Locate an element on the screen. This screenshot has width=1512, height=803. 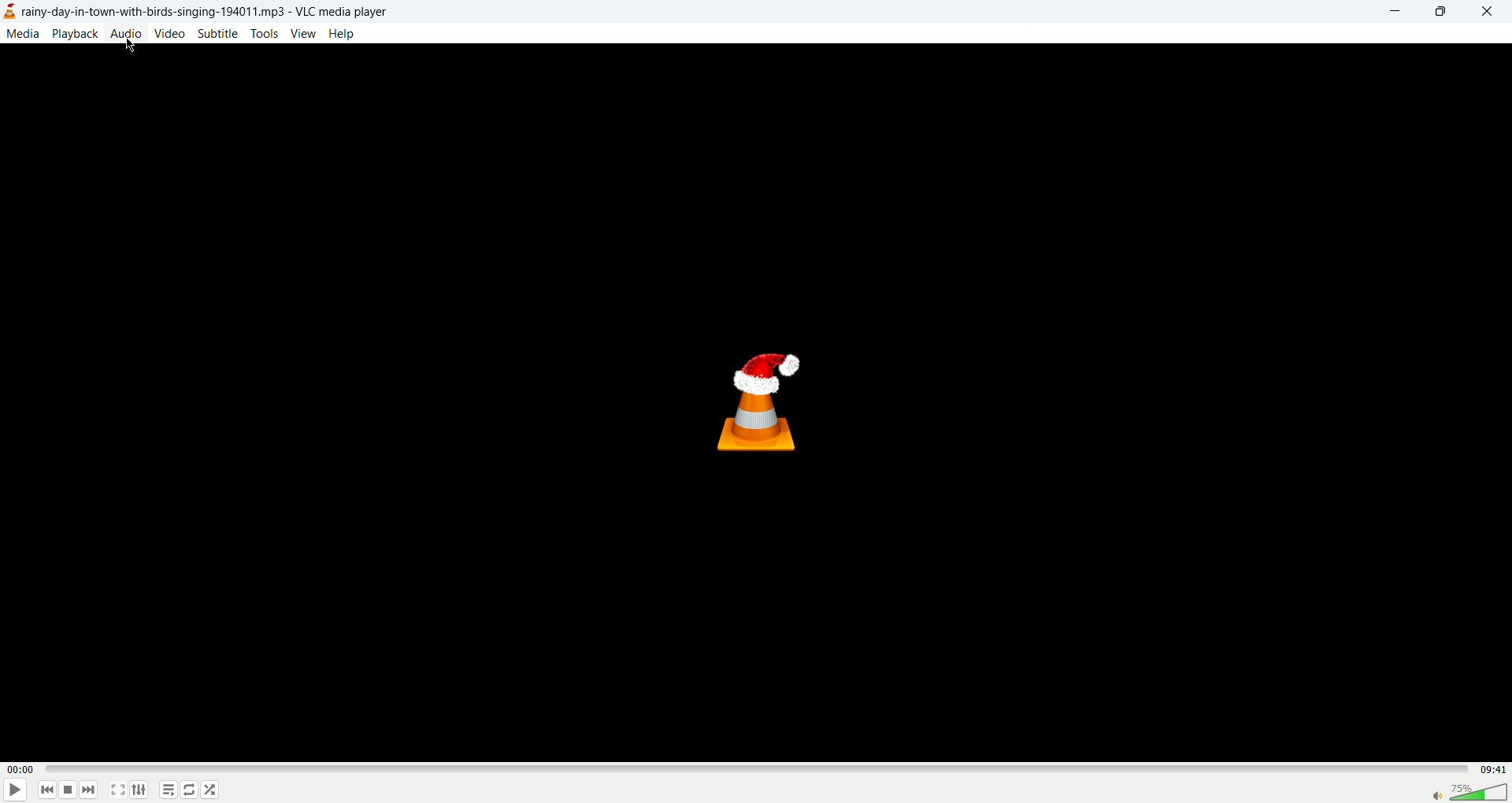
audio is located at coordinates (126, 35).